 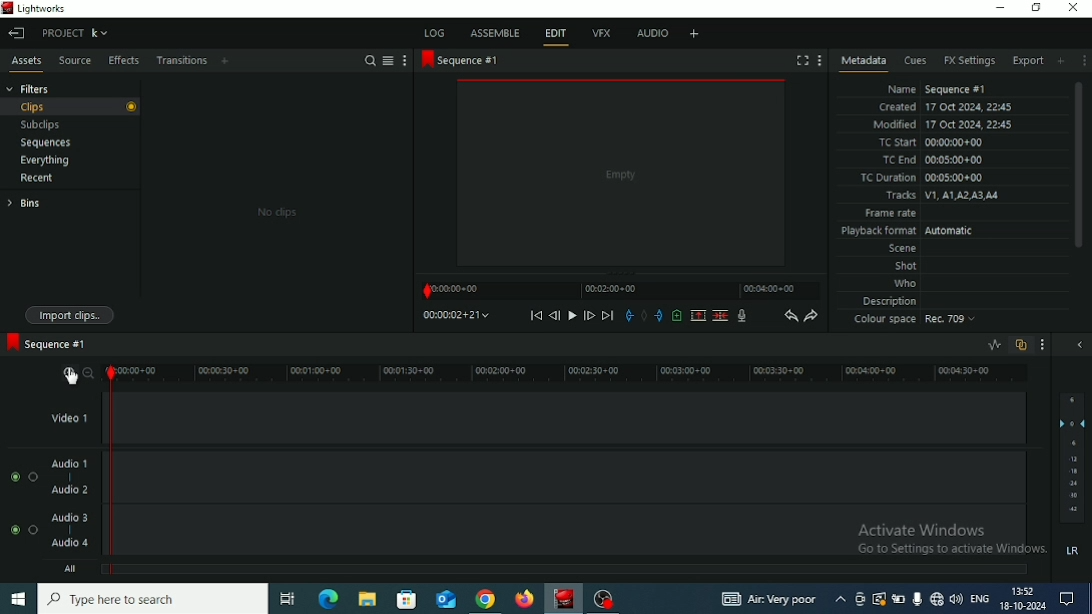 I want to click on Import clips, so click(x=72, y=315).